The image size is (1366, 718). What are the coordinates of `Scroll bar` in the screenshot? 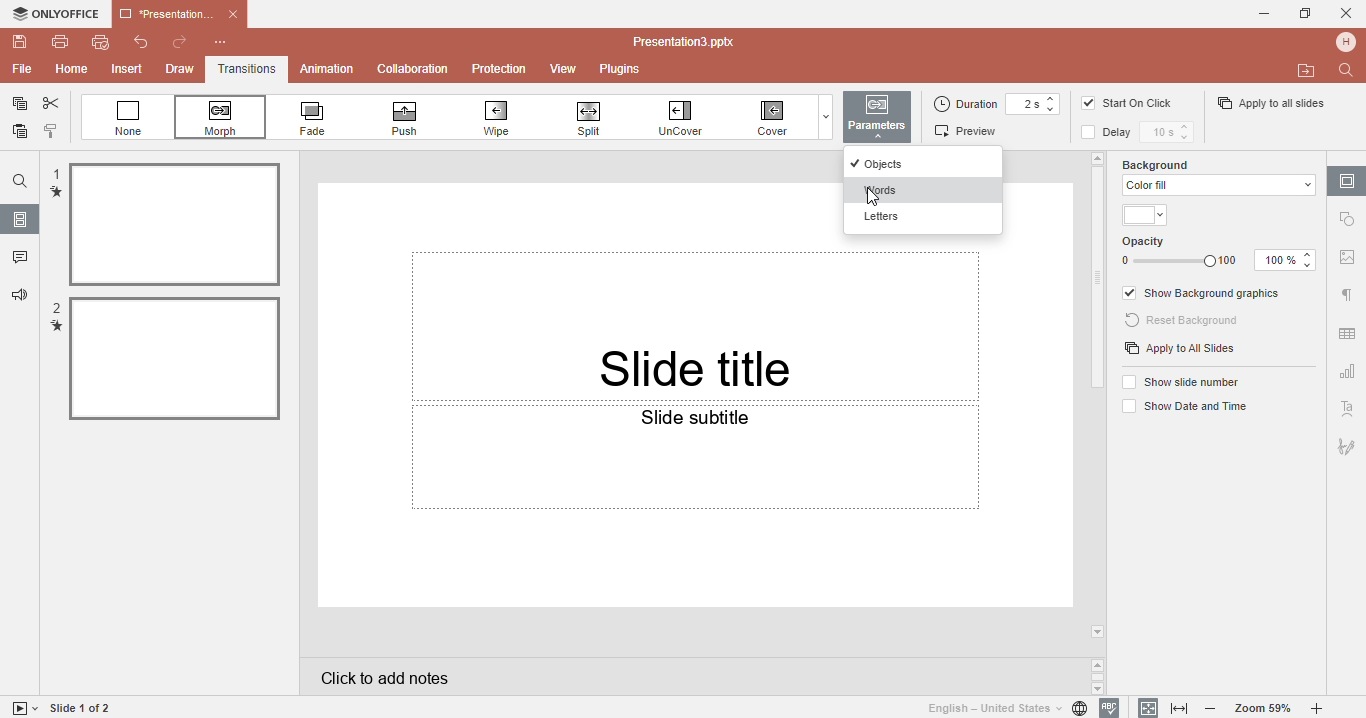 It's located at (1099, 281).